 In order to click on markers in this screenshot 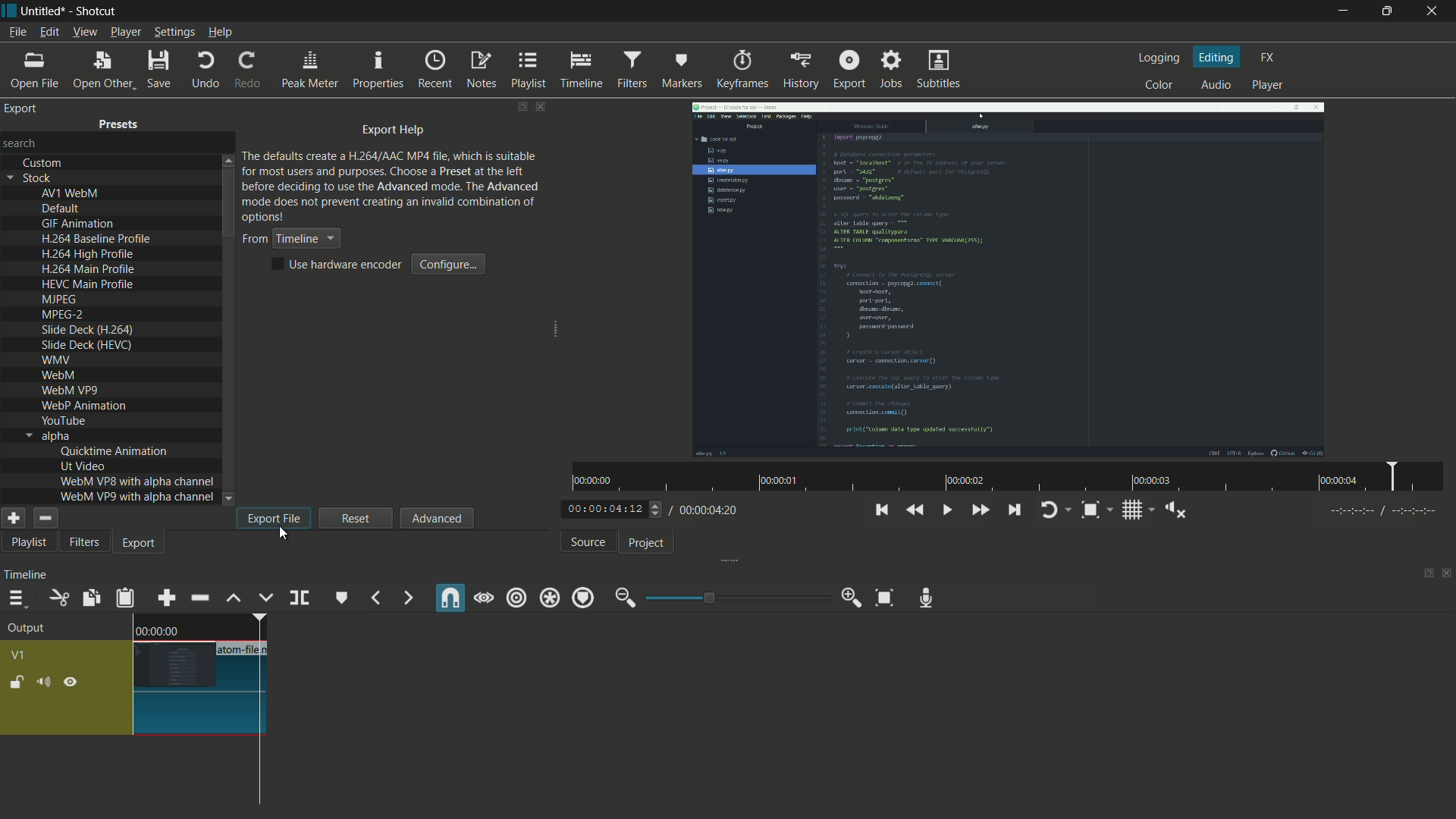, I will do `click(682, 69)`.